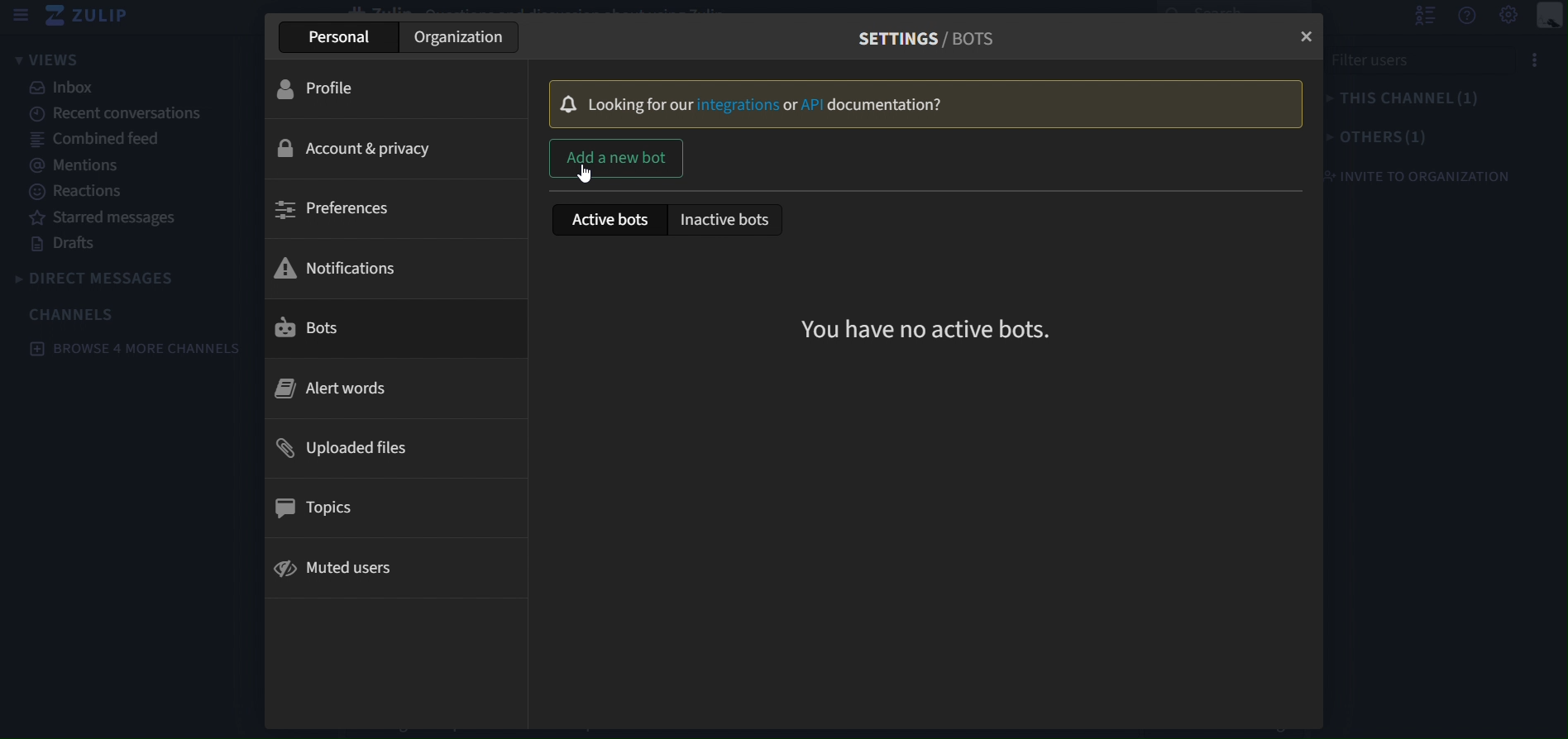 This screenshot has width=1568, height=739. What do you see at coordinates (642, 105) in the screenshot?
I see `Looking for our` at bounding box center [642, 105].